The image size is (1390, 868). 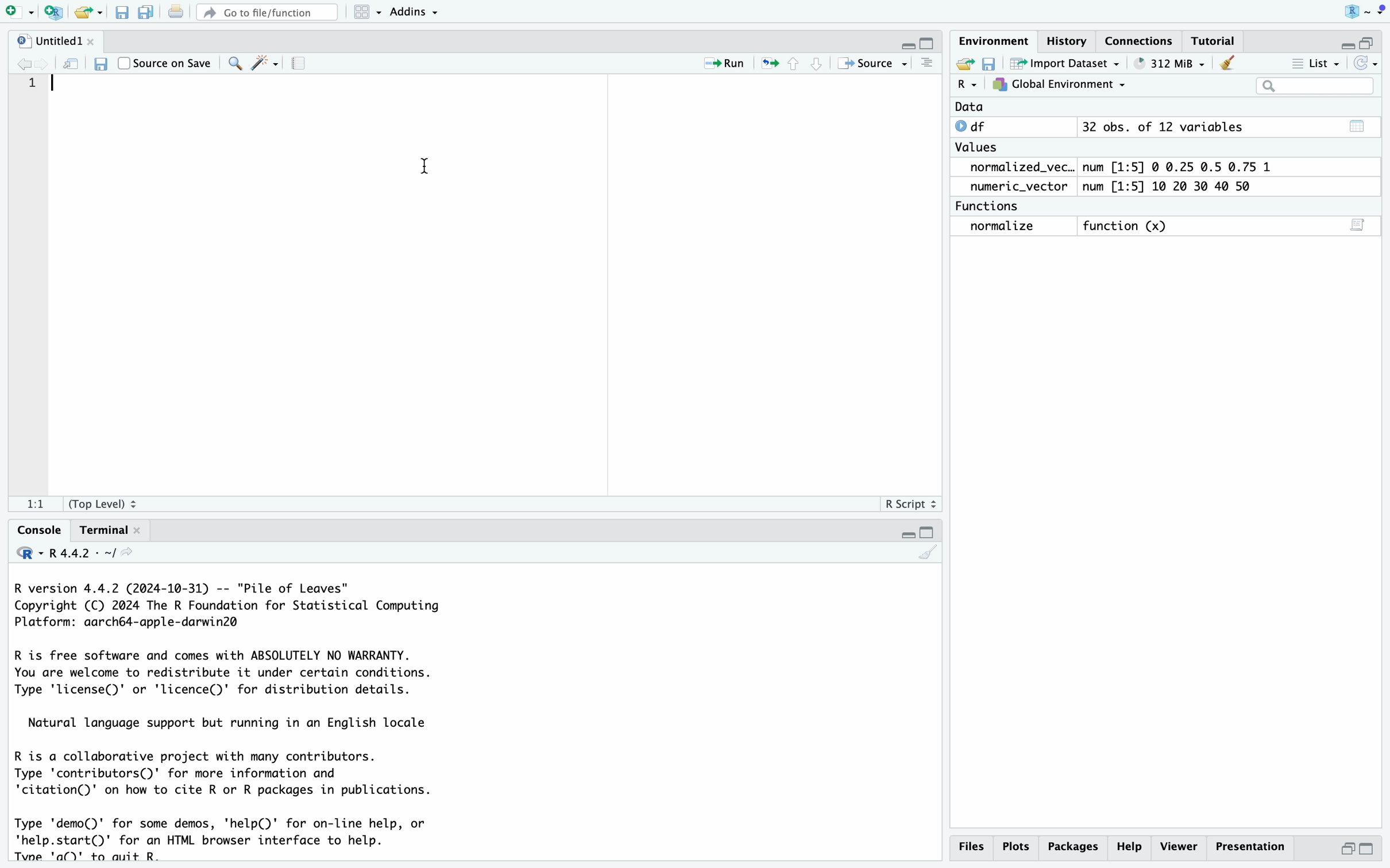 What do you see at coordinates (810, 63) in the screenshot?
I see `move up/down` at bounding box center [810, 63].